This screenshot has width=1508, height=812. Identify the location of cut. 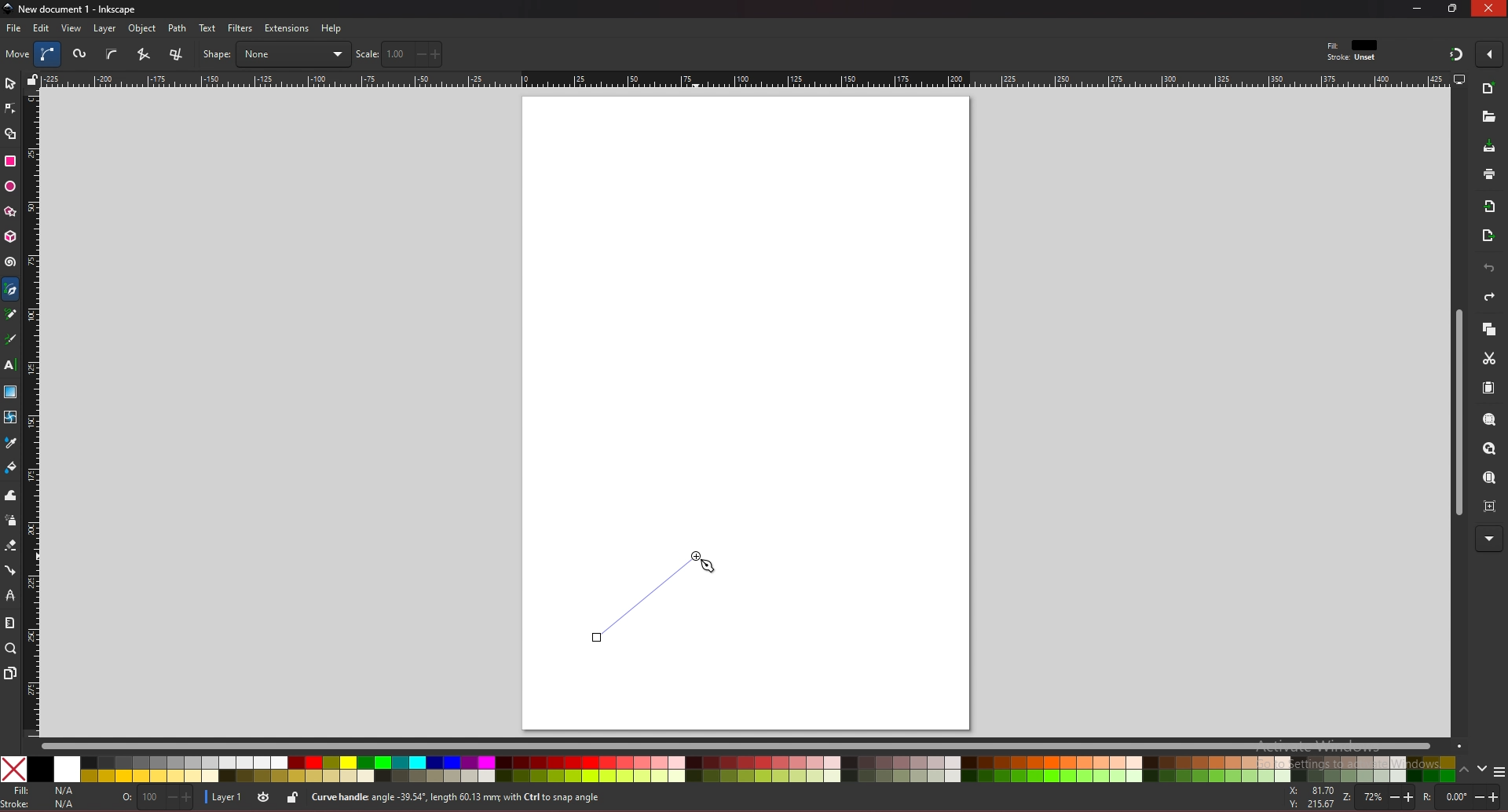
(1489, 359).